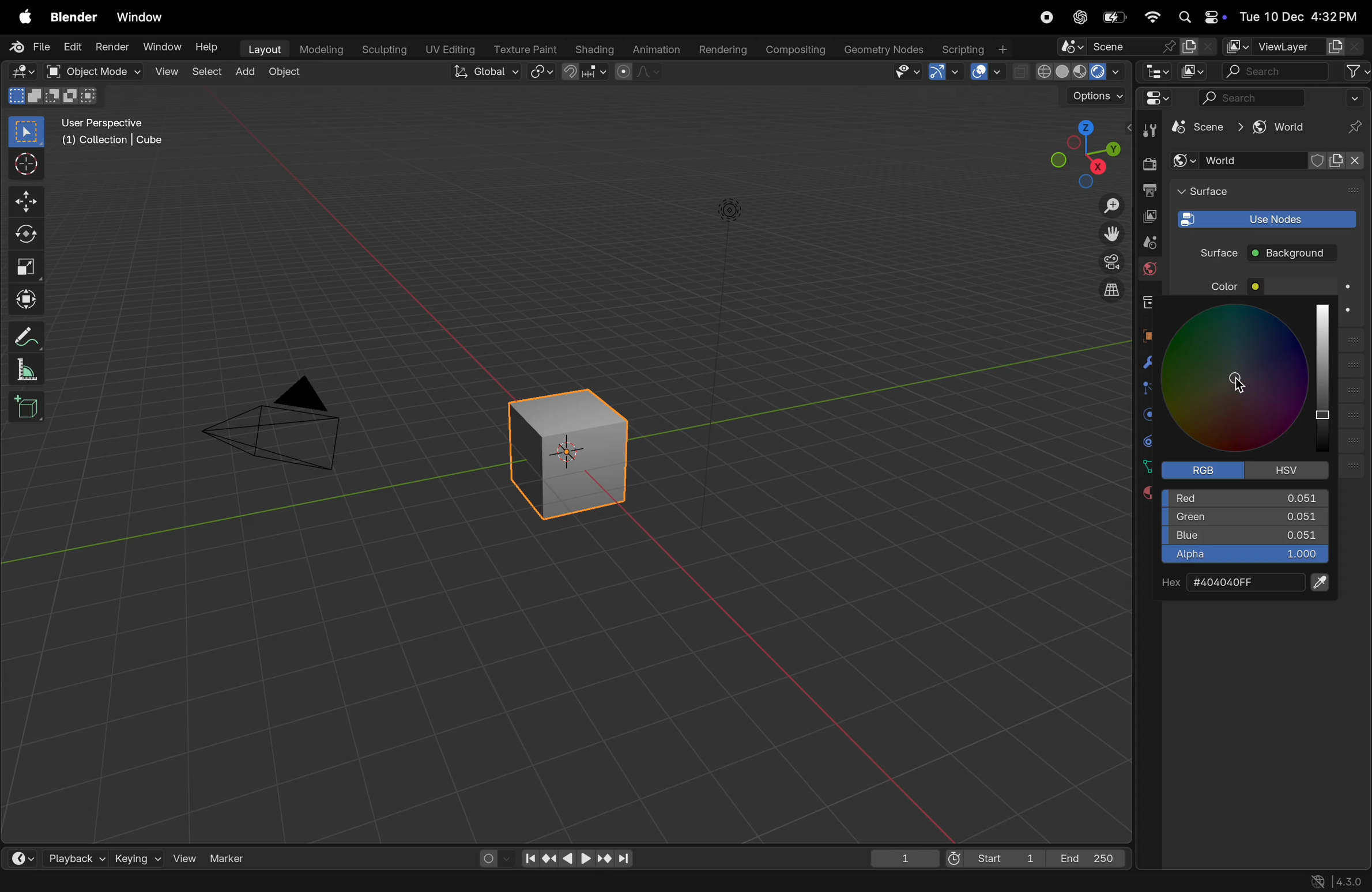 The width and height of the screenshot is (1372, 892). Describe the element at coordinates (721, 49) in the screenshot. I see `Rendering` at that location.